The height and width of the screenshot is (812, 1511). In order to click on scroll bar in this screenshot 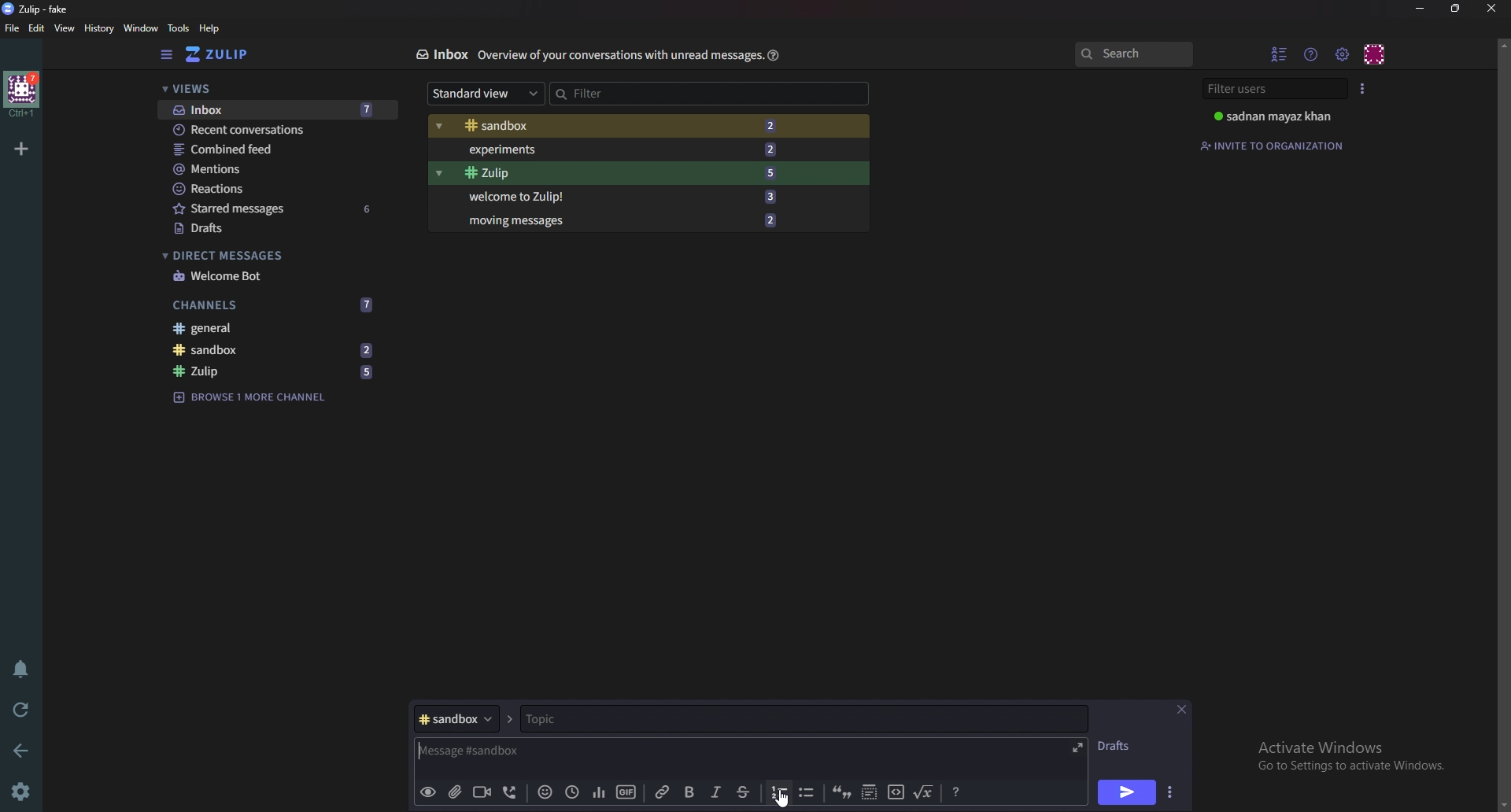, I will do `click(1502, 423)`.